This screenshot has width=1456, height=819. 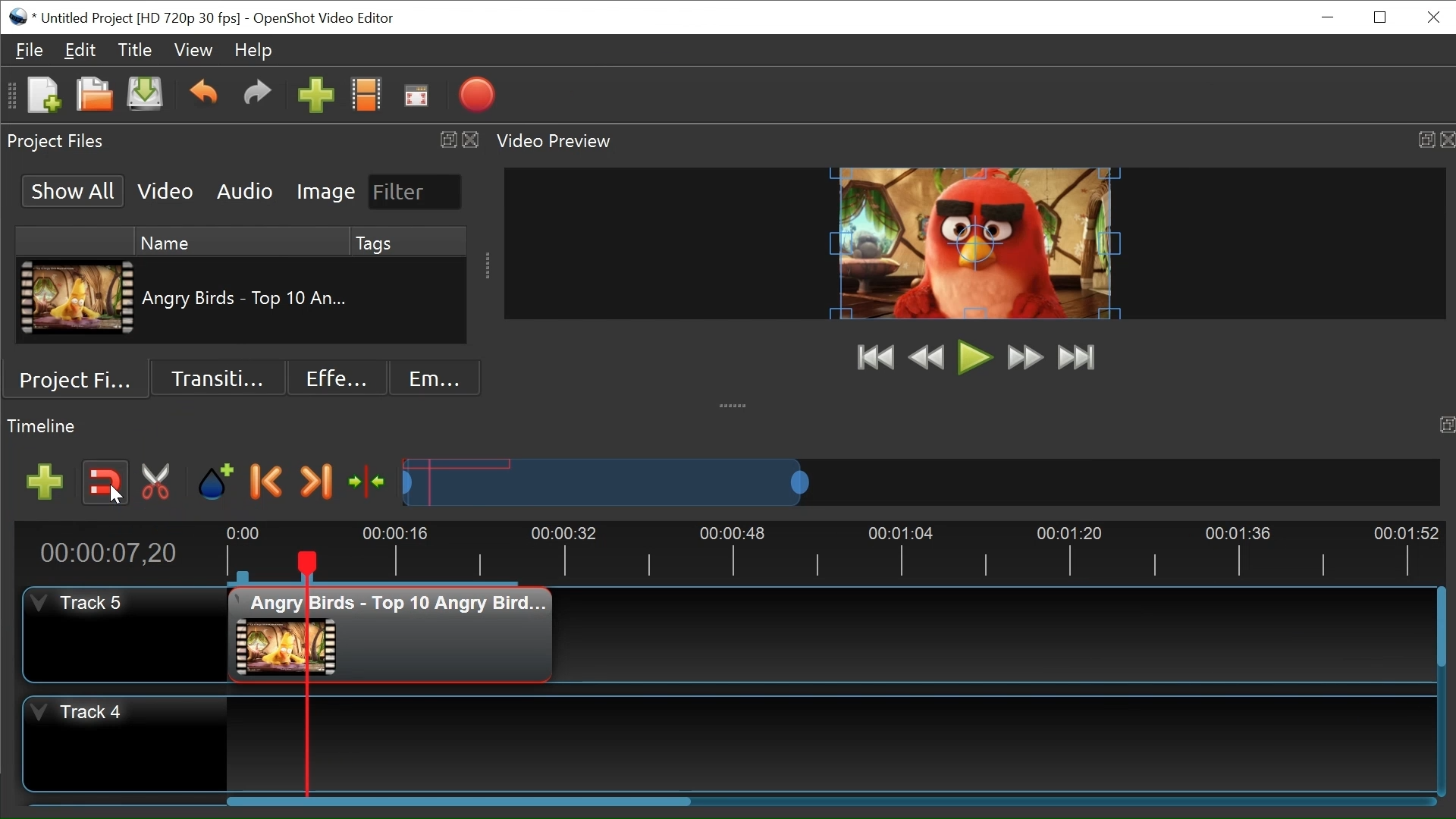 I want to click on Preview window, so click(x=974, y=243).